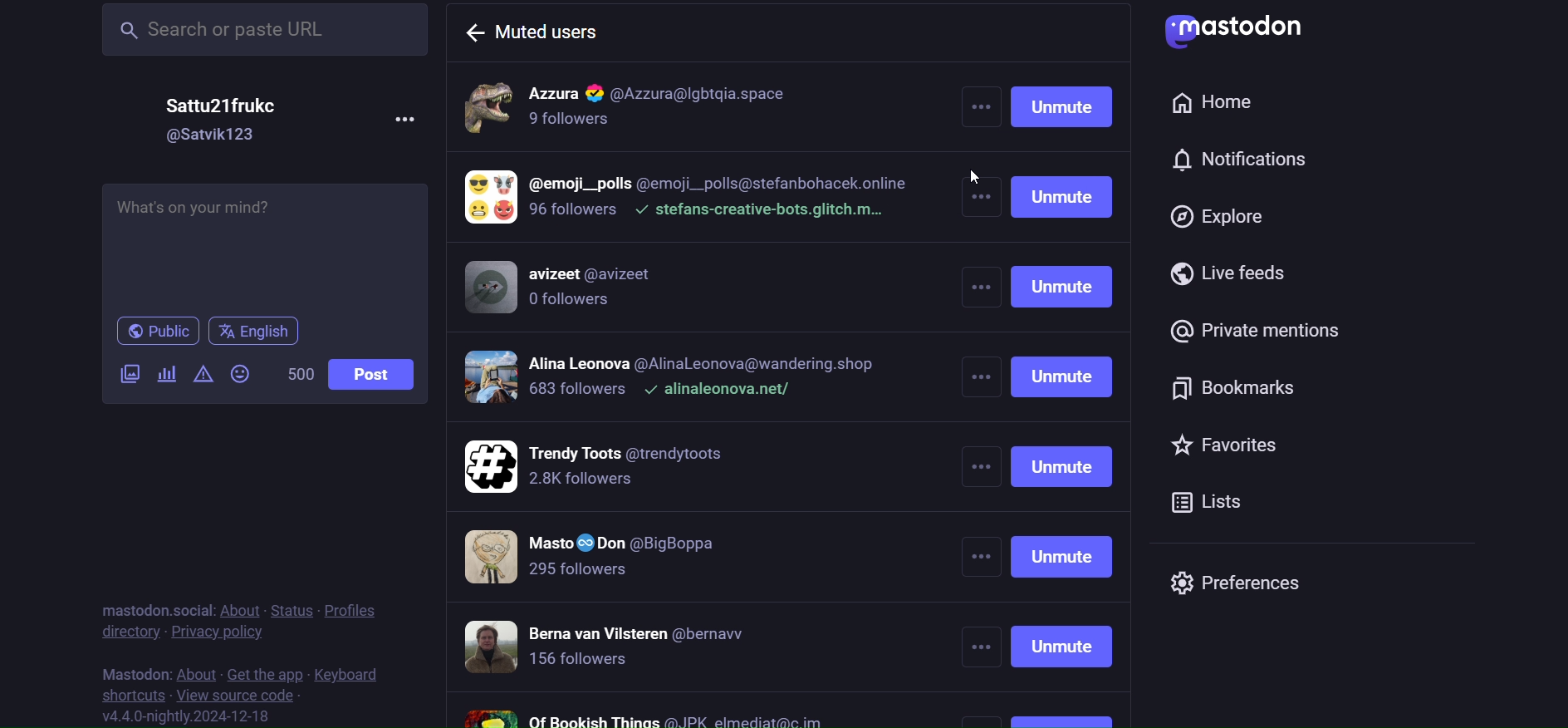 The image size is (1568, 728). What do you see at coordinates (377, 374) in the screenshot?
I see `post` at bounding box center [377, 374].